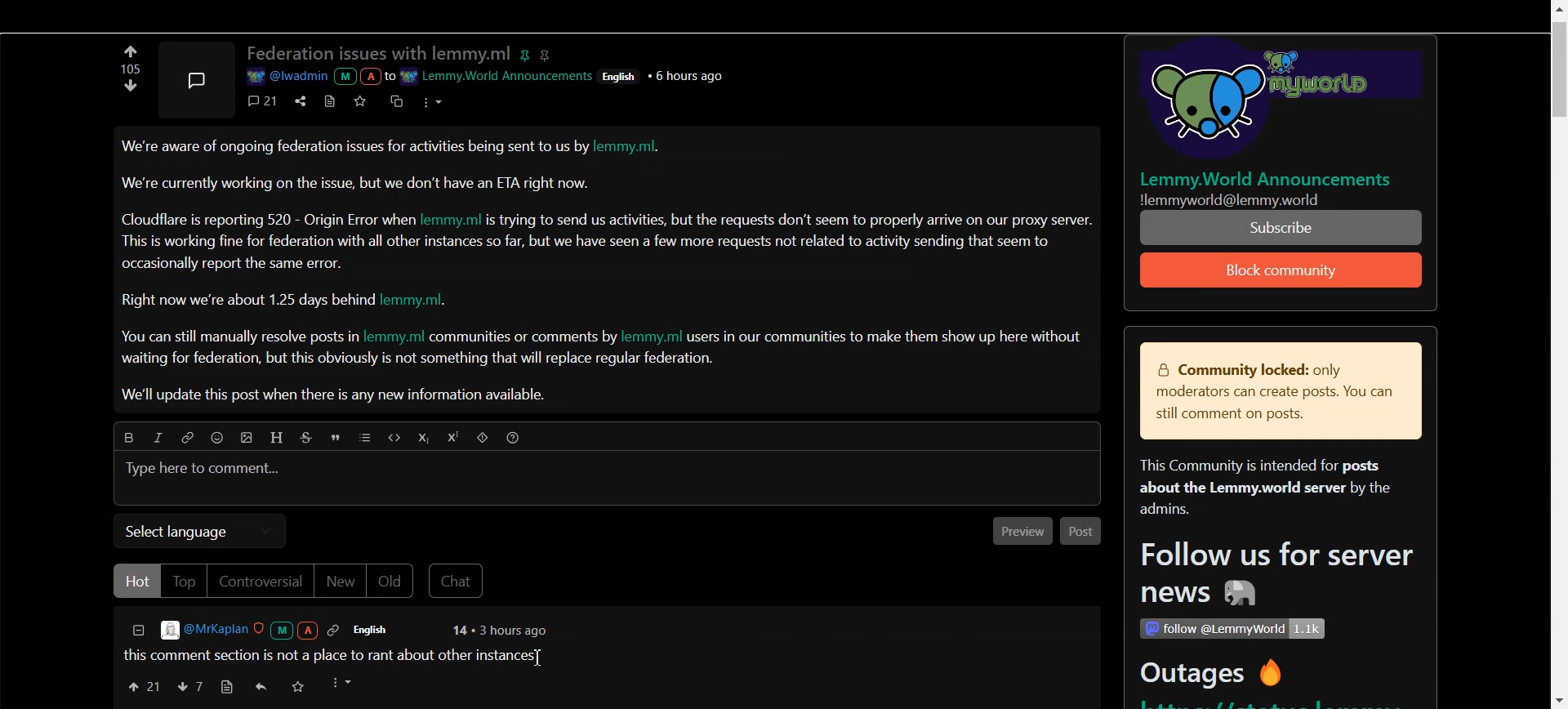  Describe the element at coordinates (1258, 488) in the screenshot. I see `This Community is intended for posts
about the Lemmy.world server by the
admins.` at that location.